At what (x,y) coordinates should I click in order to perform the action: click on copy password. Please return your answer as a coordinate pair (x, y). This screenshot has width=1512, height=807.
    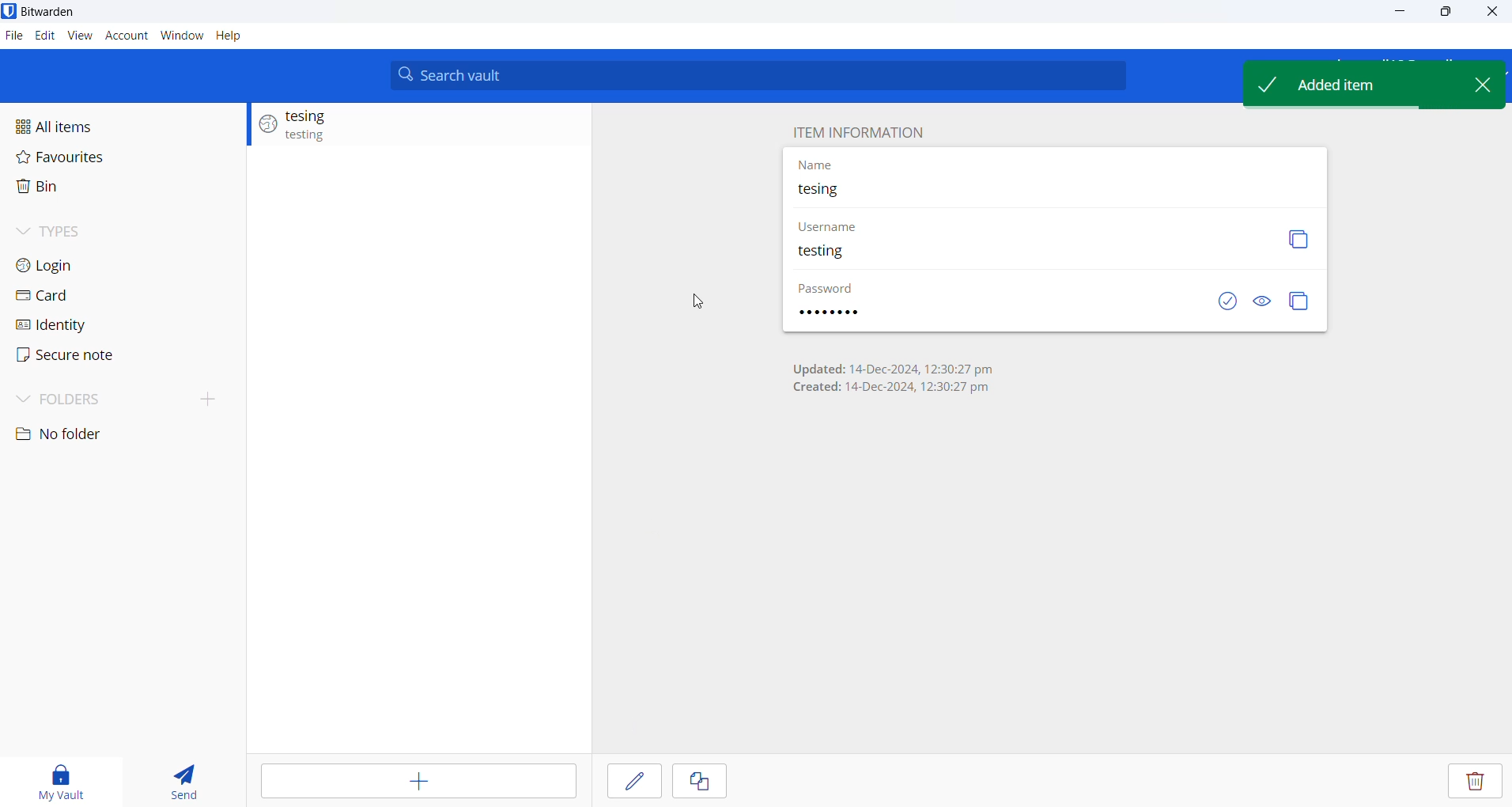
    Looking at the image, I should click on (1302, 301).